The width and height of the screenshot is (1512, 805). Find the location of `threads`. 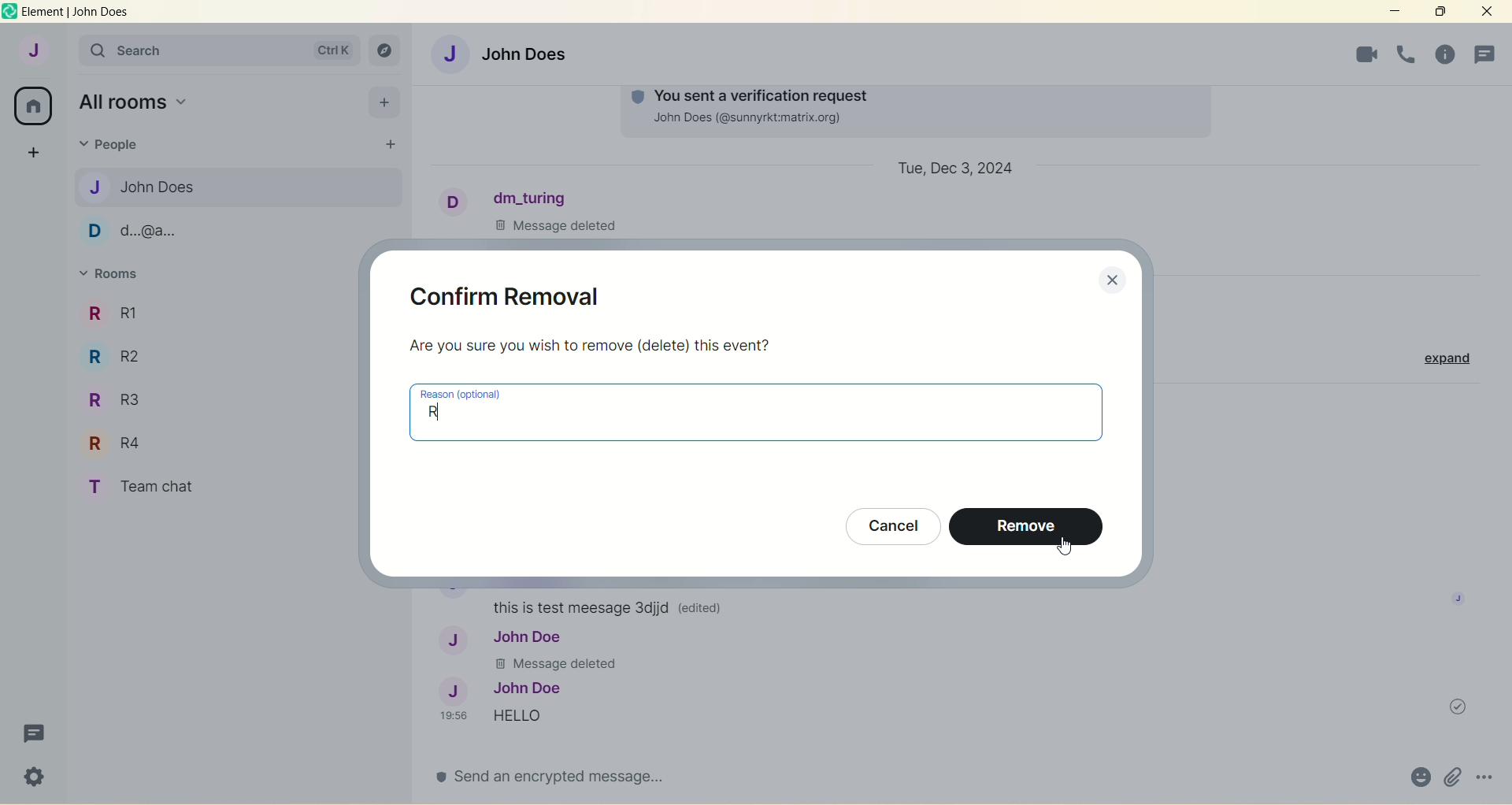

threads is located at coordinates (1438, 53).